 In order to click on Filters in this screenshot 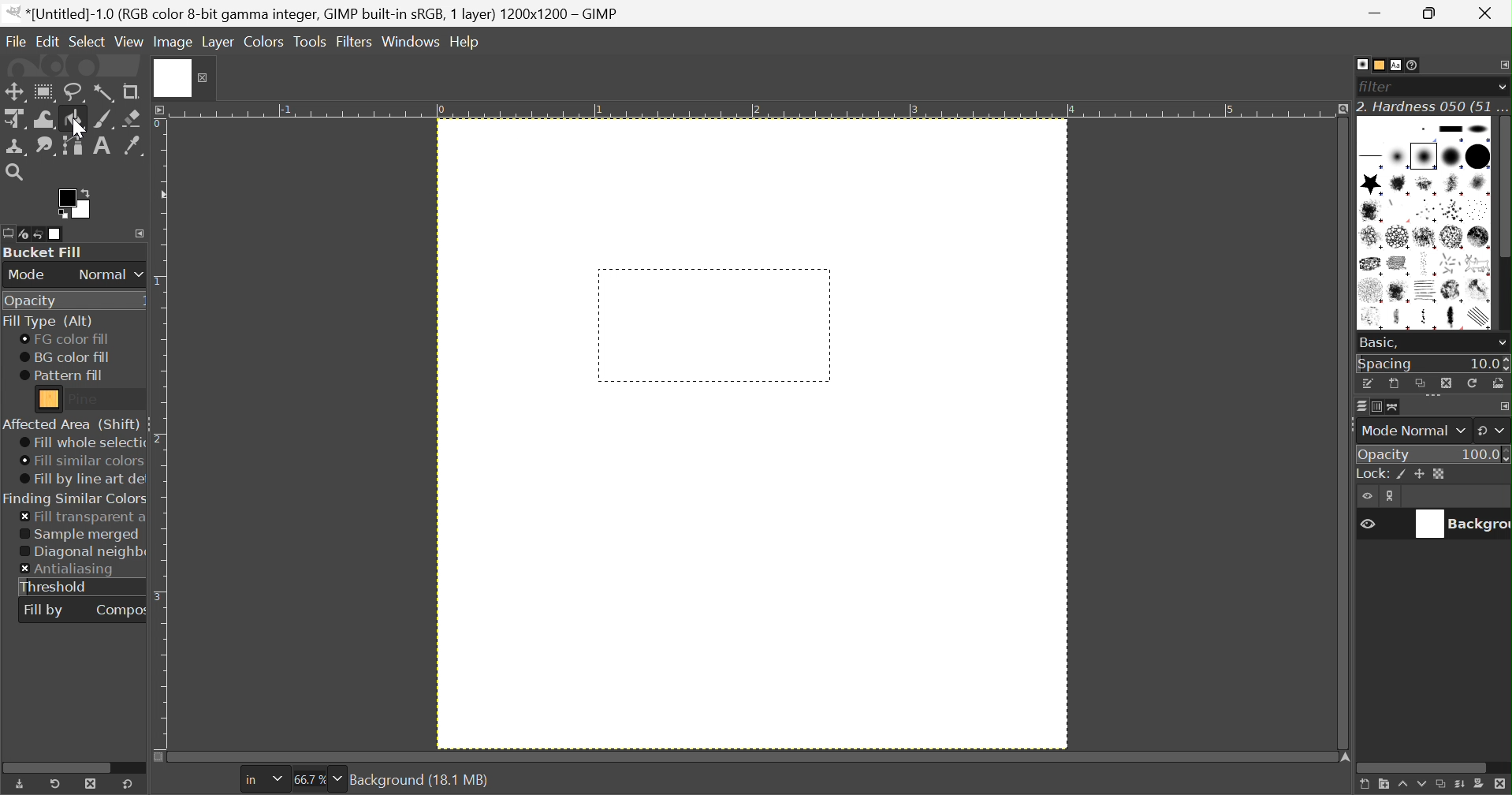, I will do `click(354, 43)`.